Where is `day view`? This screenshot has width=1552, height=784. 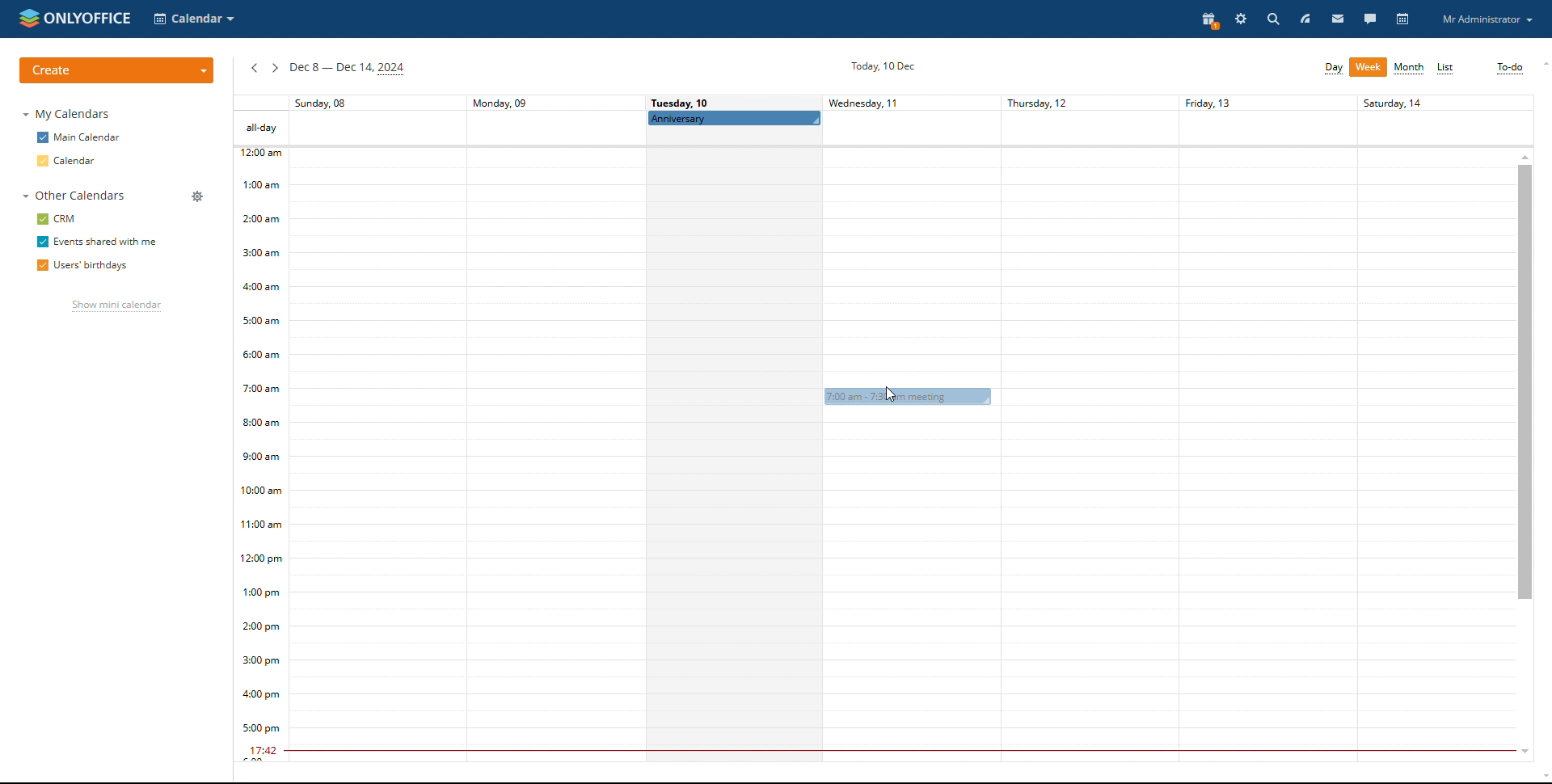 day view is located at coordinates (1334, 69).